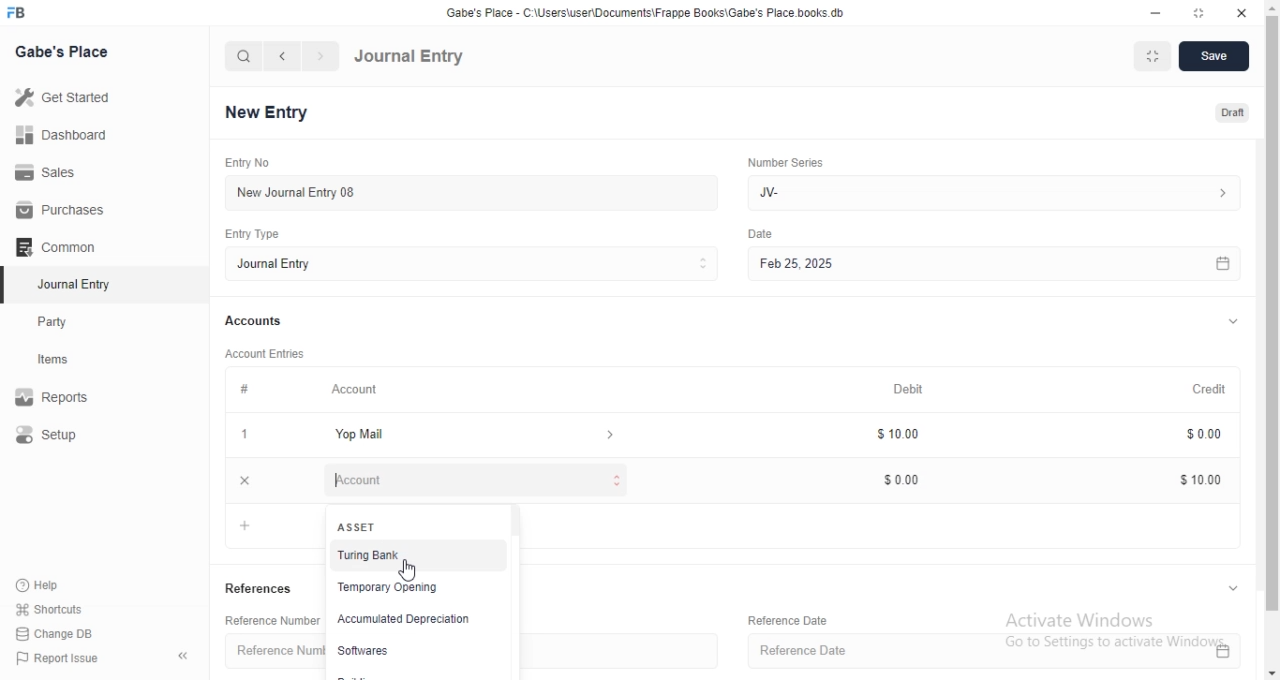  Describe the element at coordinates (61, 138) in the screenshot. I see `Dashboard` at that location.